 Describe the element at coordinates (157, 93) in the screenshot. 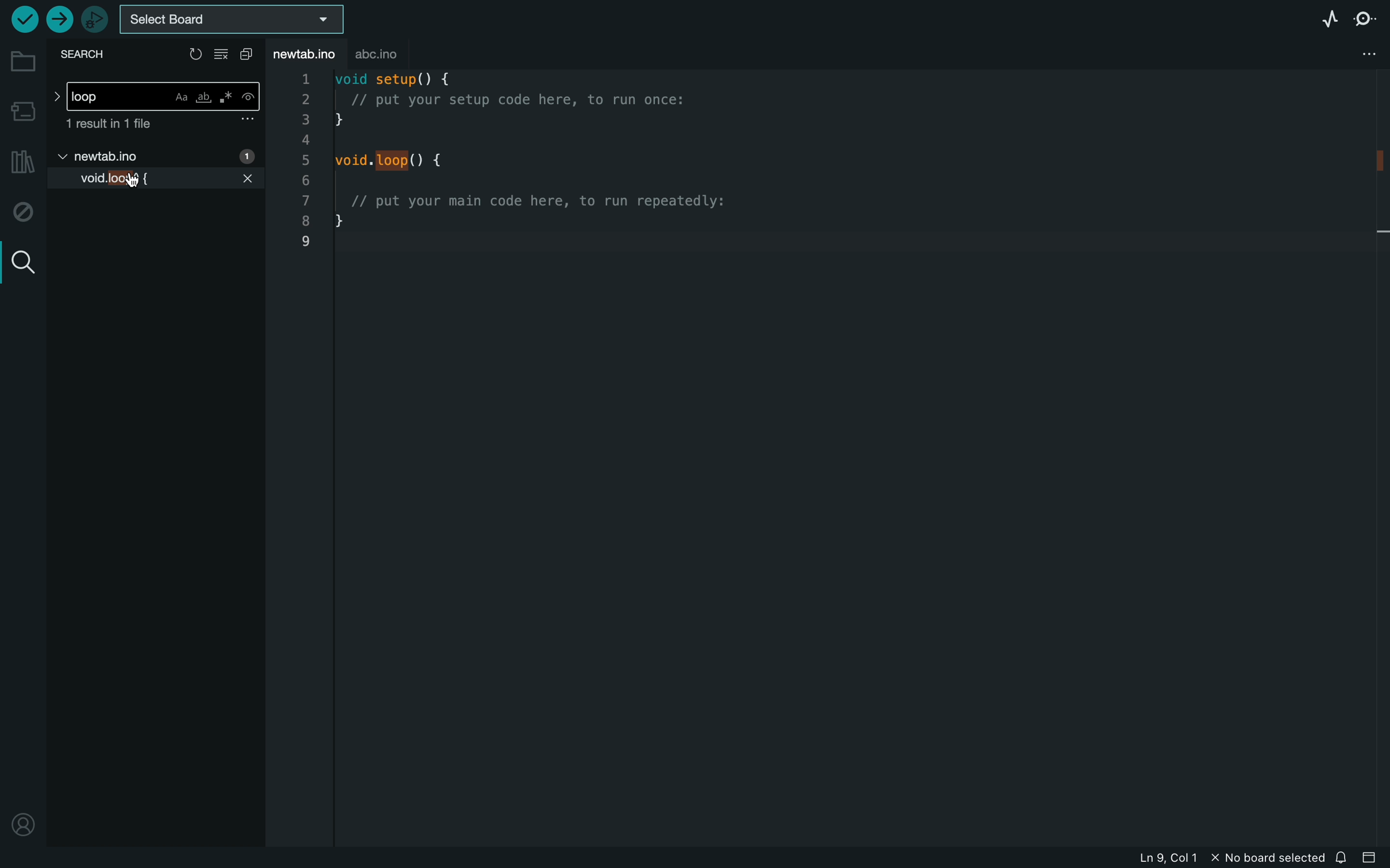

I see `loop` at that location.